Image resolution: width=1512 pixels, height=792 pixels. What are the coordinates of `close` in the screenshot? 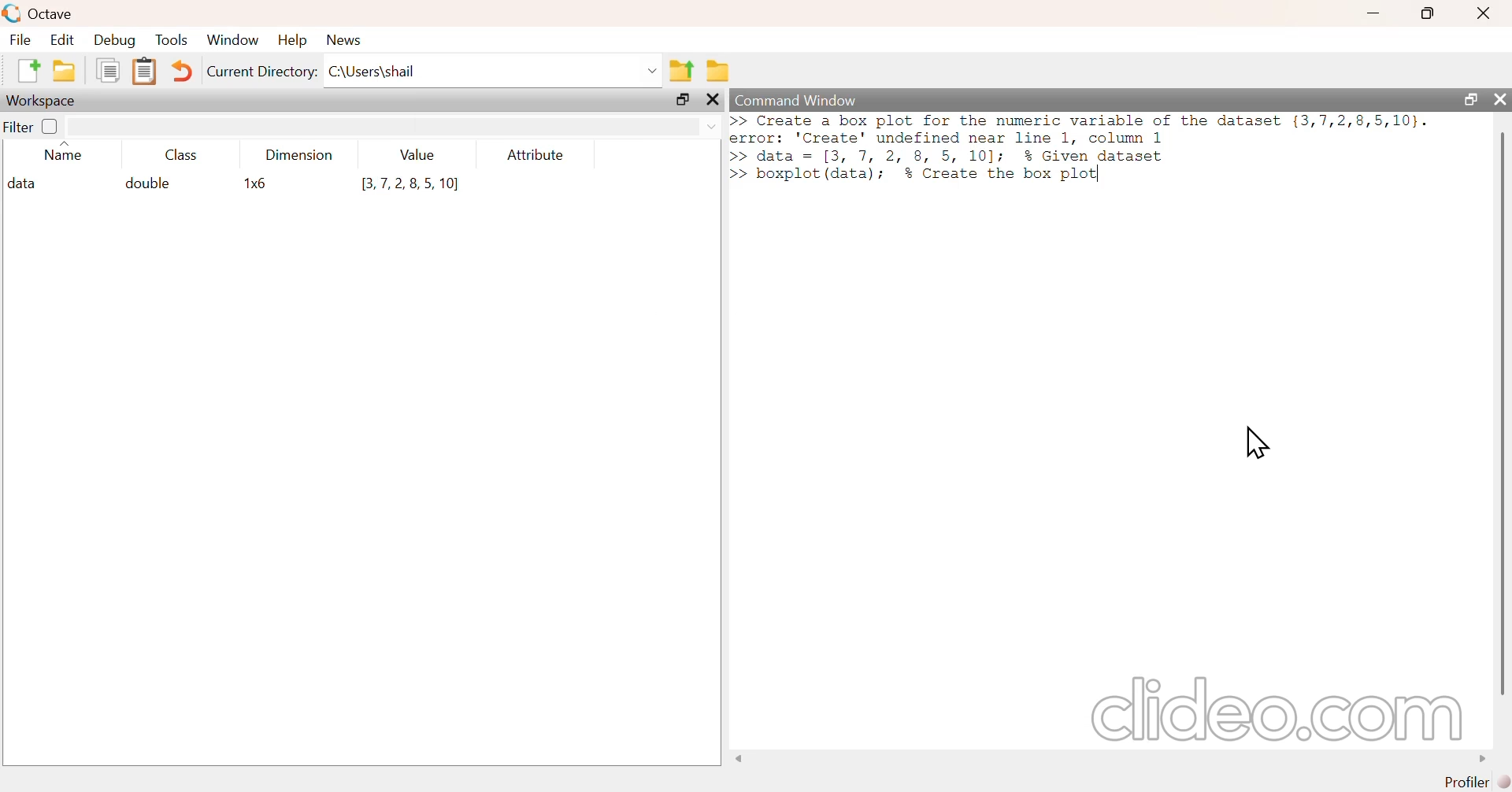 It's located at (712, 99).